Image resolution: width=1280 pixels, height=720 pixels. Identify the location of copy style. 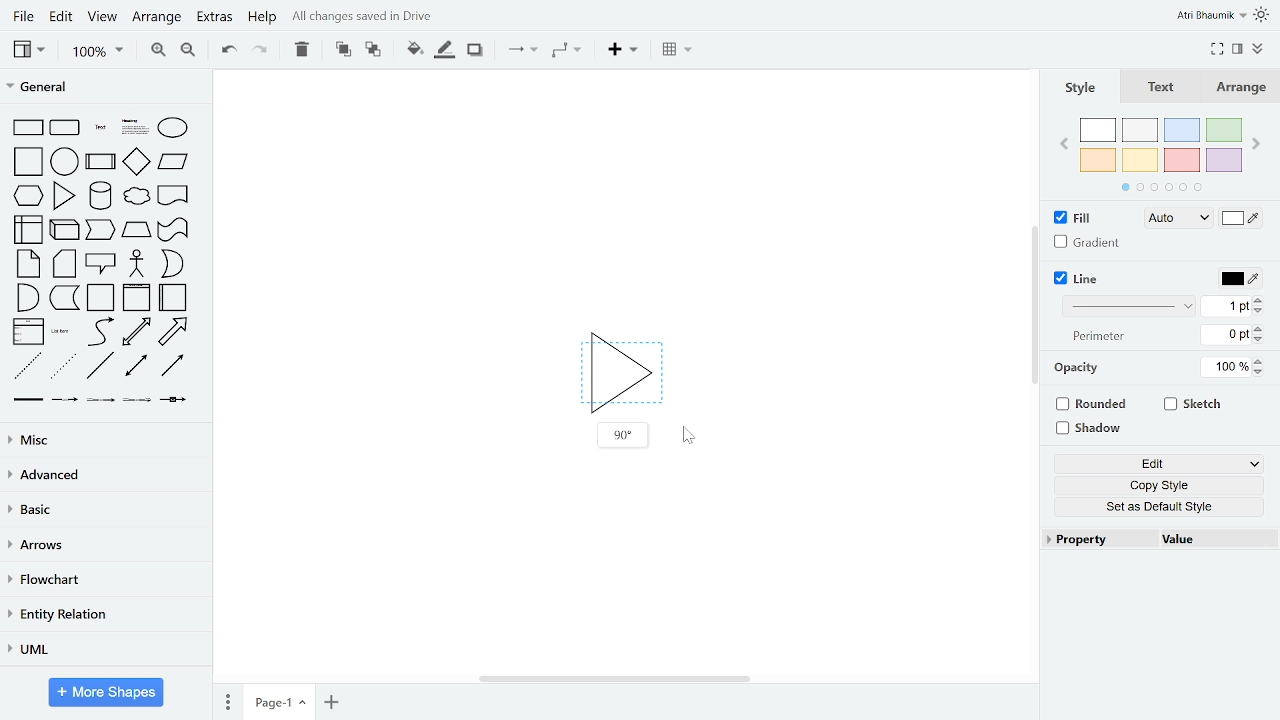
(1160, 486).